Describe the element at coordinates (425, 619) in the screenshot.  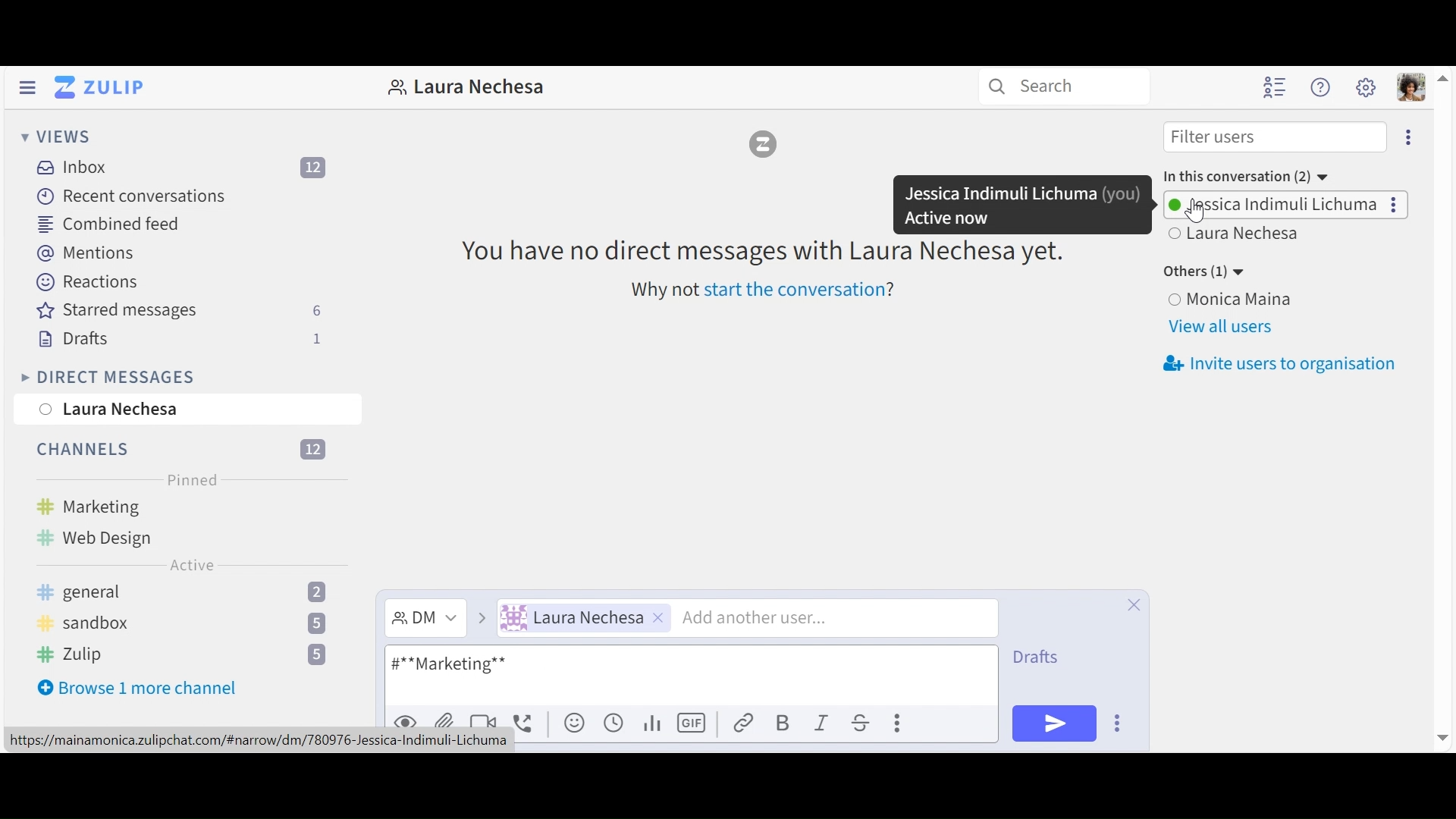
I see `Direct Message` at that location.